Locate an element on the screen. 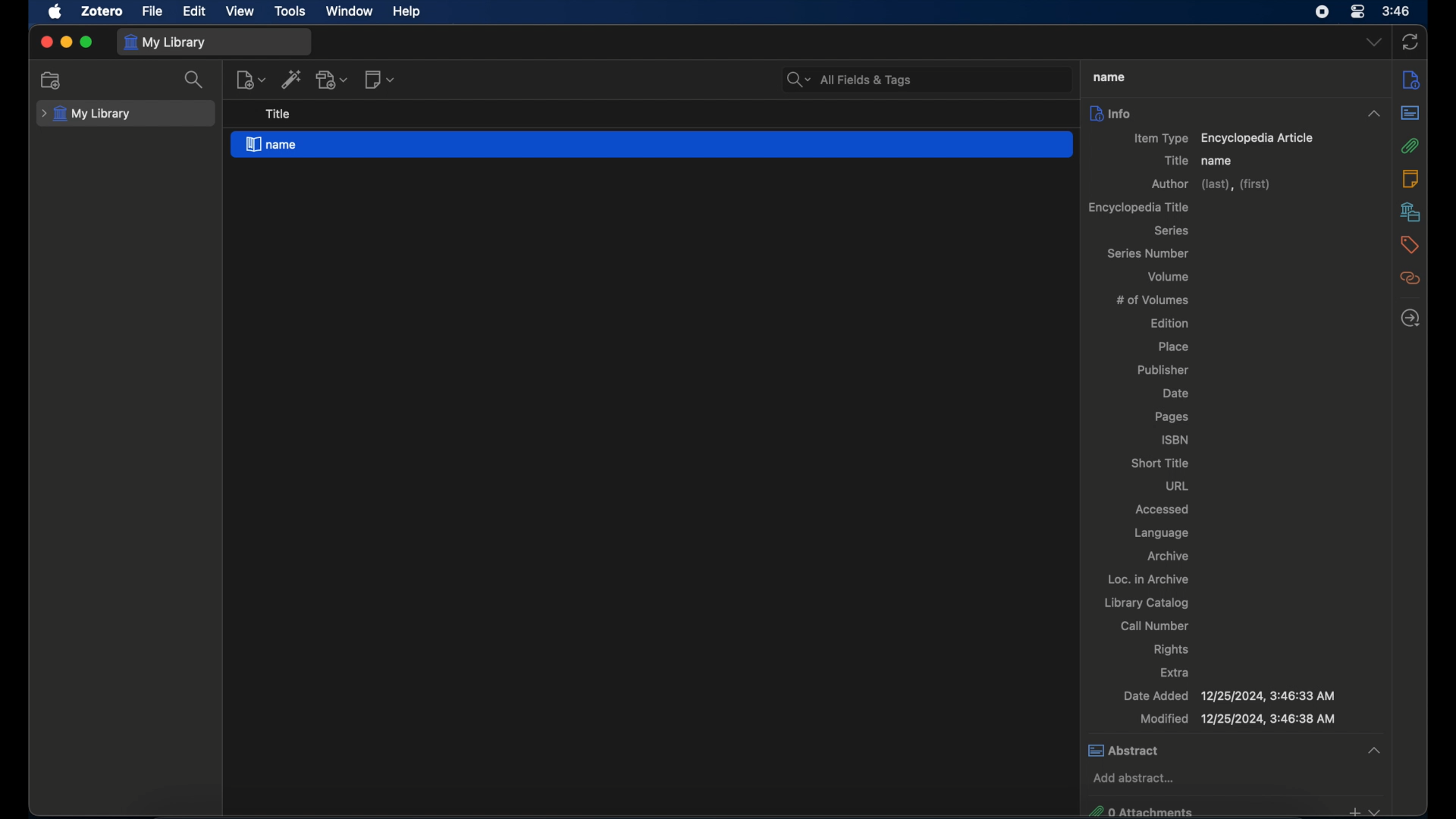  title is located at coordinates (1106, 77).